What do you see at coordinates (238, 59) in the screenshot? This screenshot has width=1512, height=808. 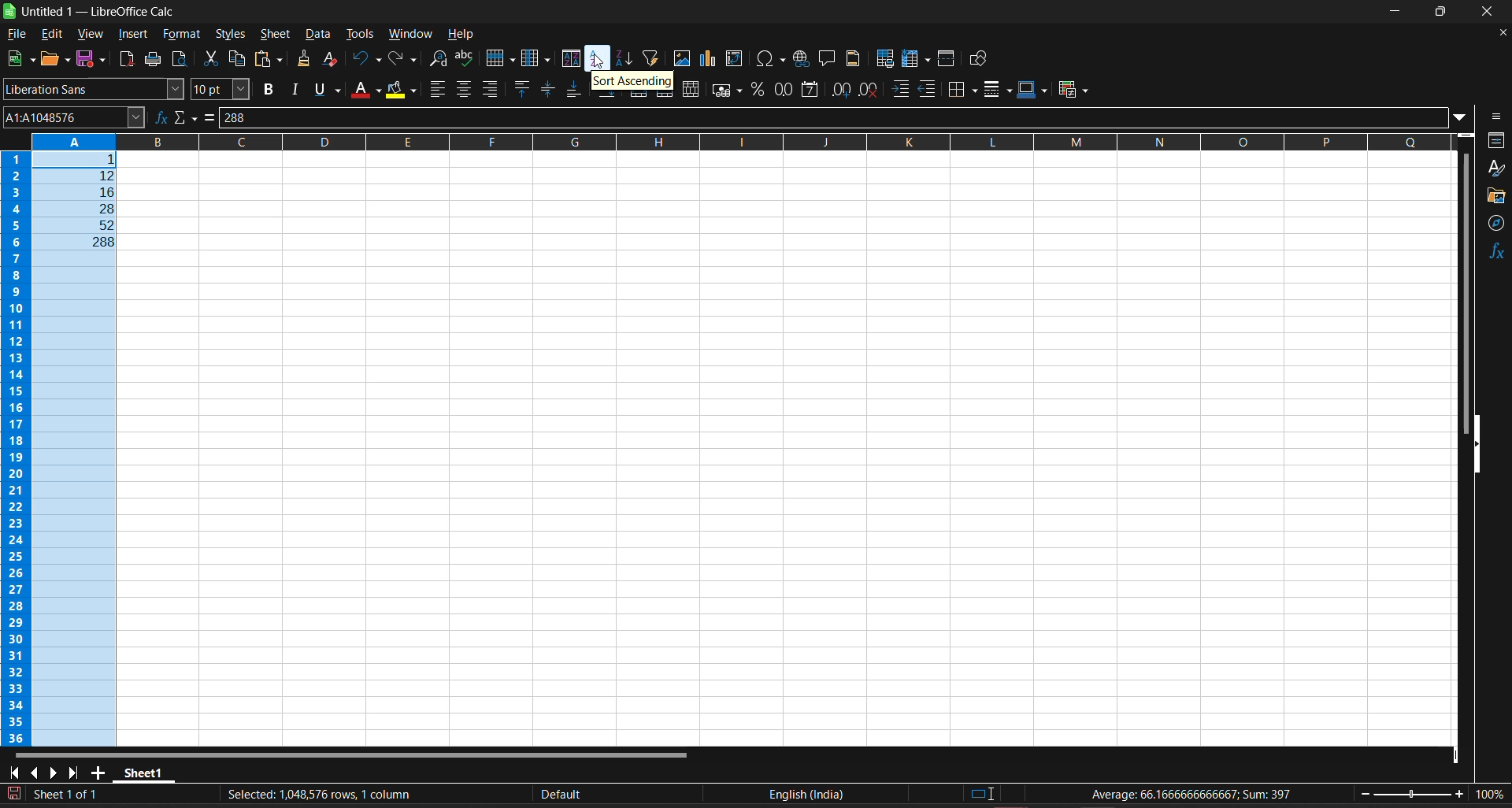 I see `copy` at bounding box center [238, 59].